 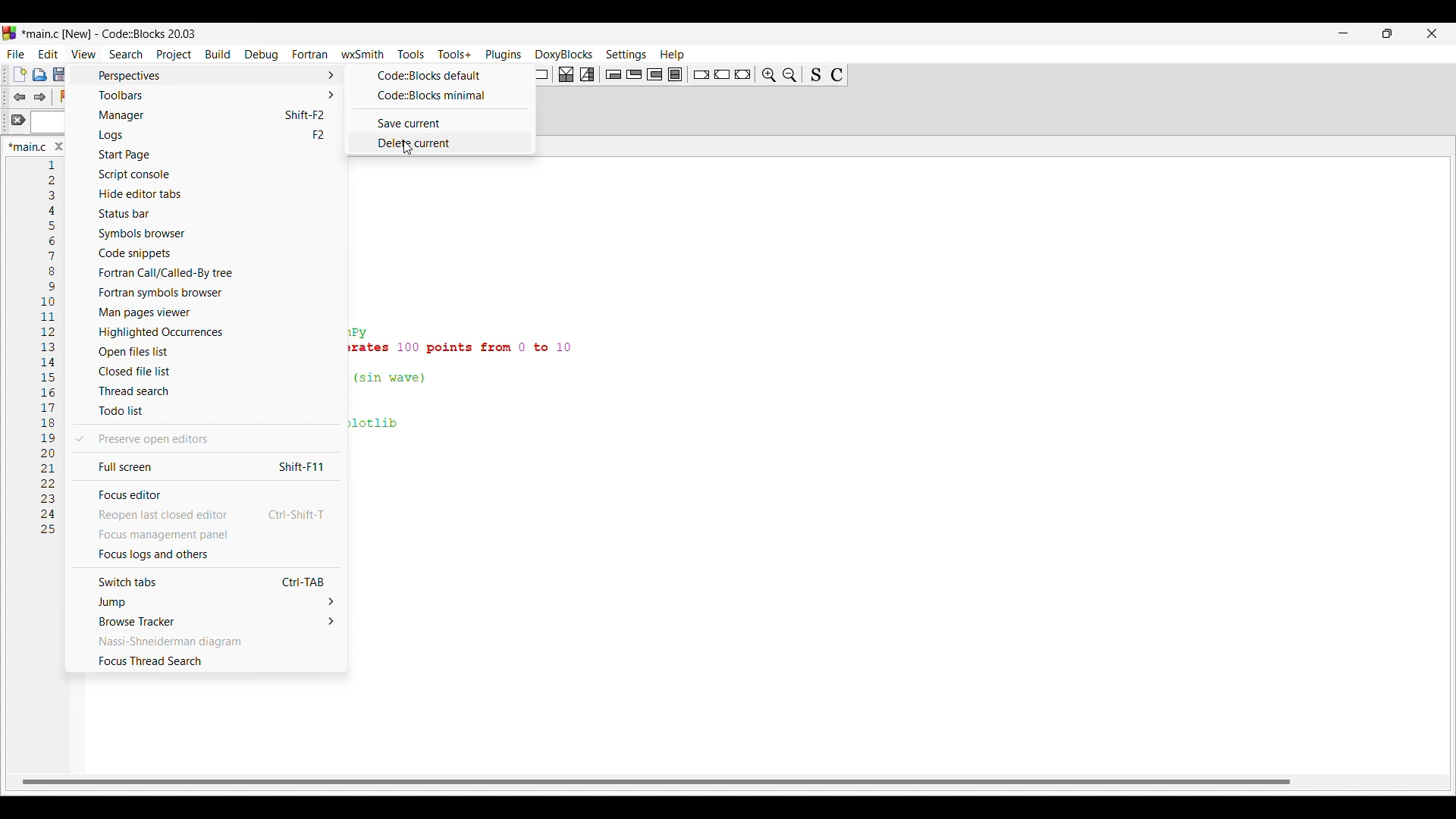 What do you see at coordinates (411, 54) in the screenshot?
I see `Tools menu` at bounding box center [411, 54].